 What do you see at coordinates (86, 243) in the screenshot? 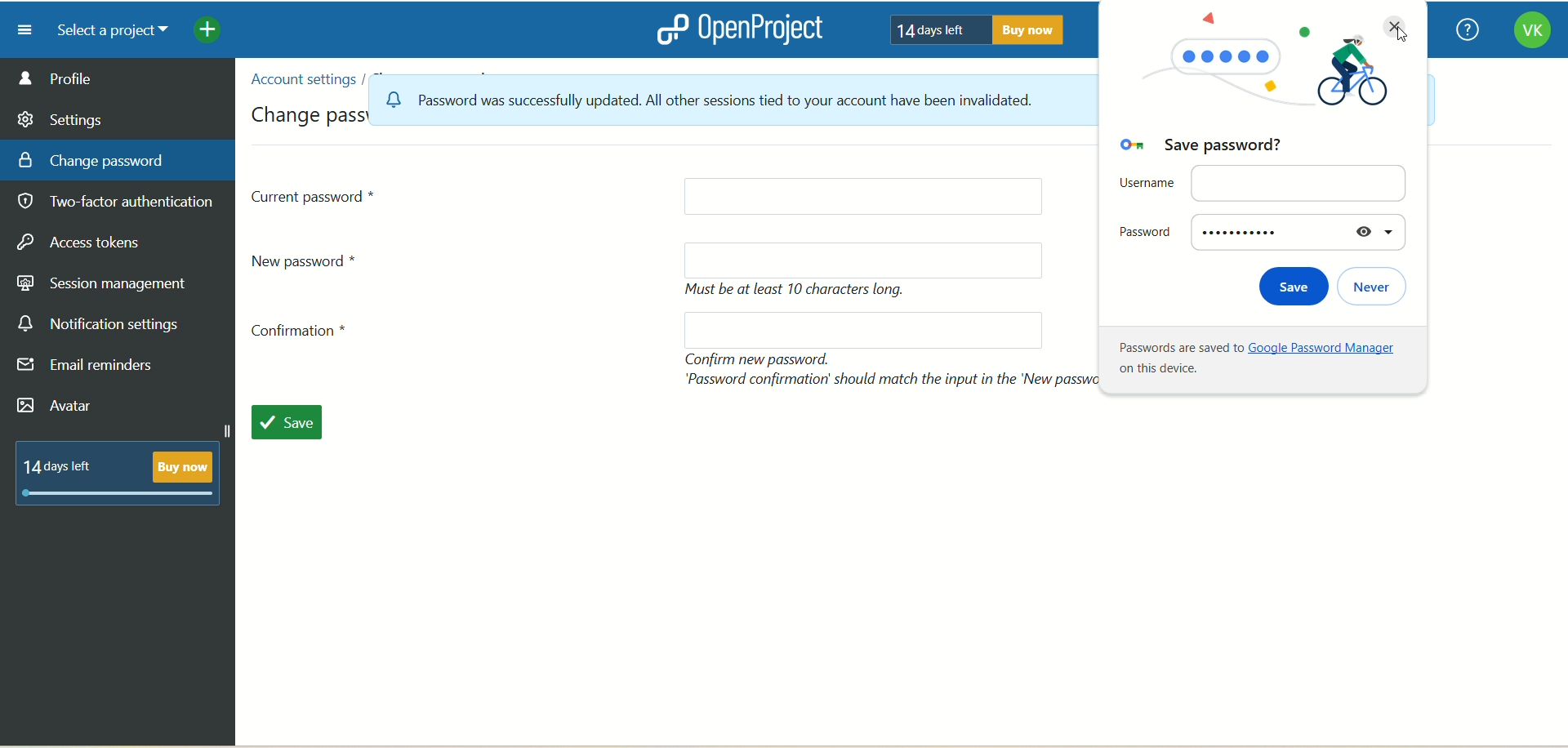
I see `access takers` at bounding box center [86, 243].